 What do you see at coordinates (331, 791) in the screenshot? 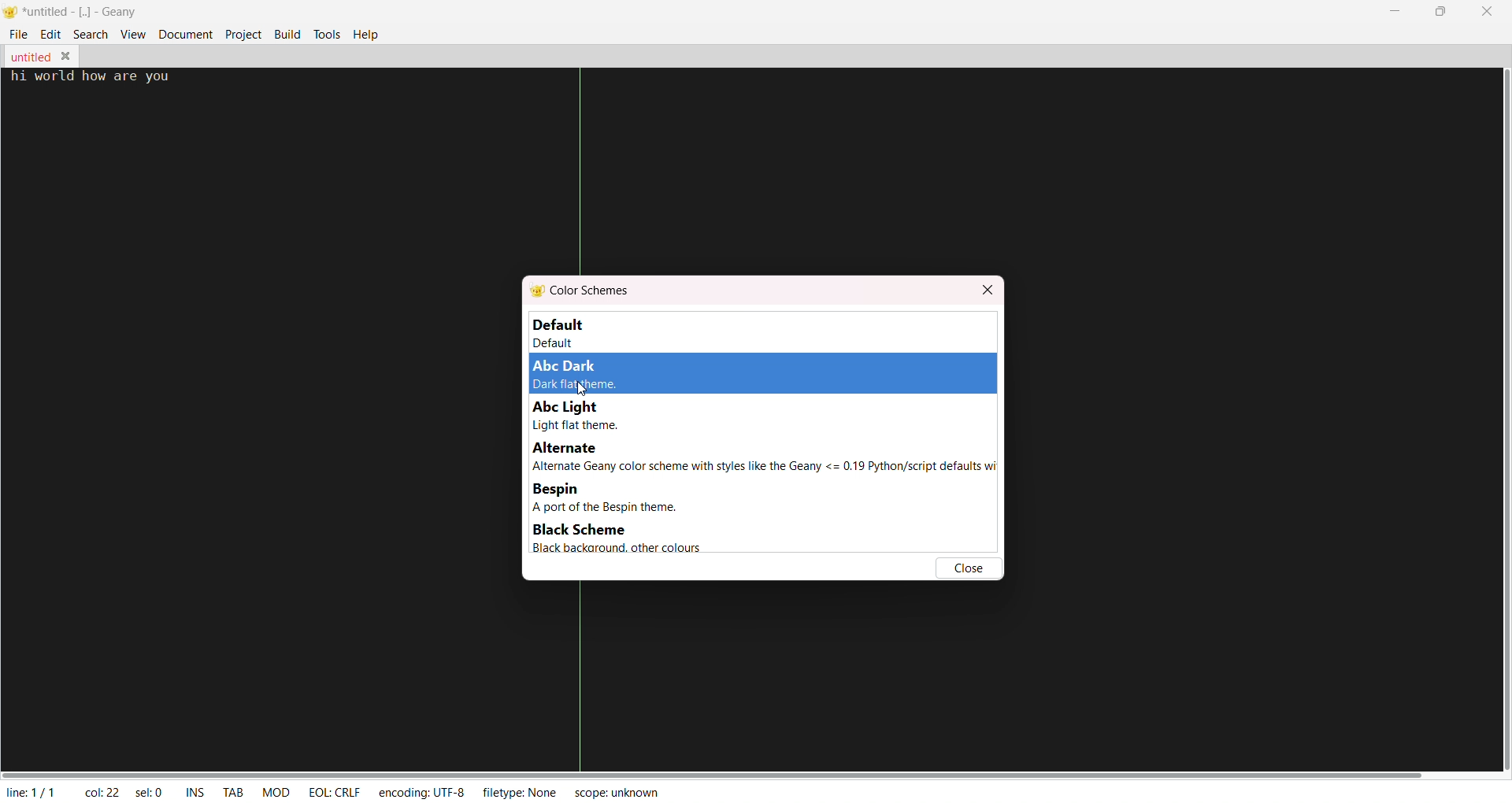
I see `eol crlf` at bounding box center [331, 791].